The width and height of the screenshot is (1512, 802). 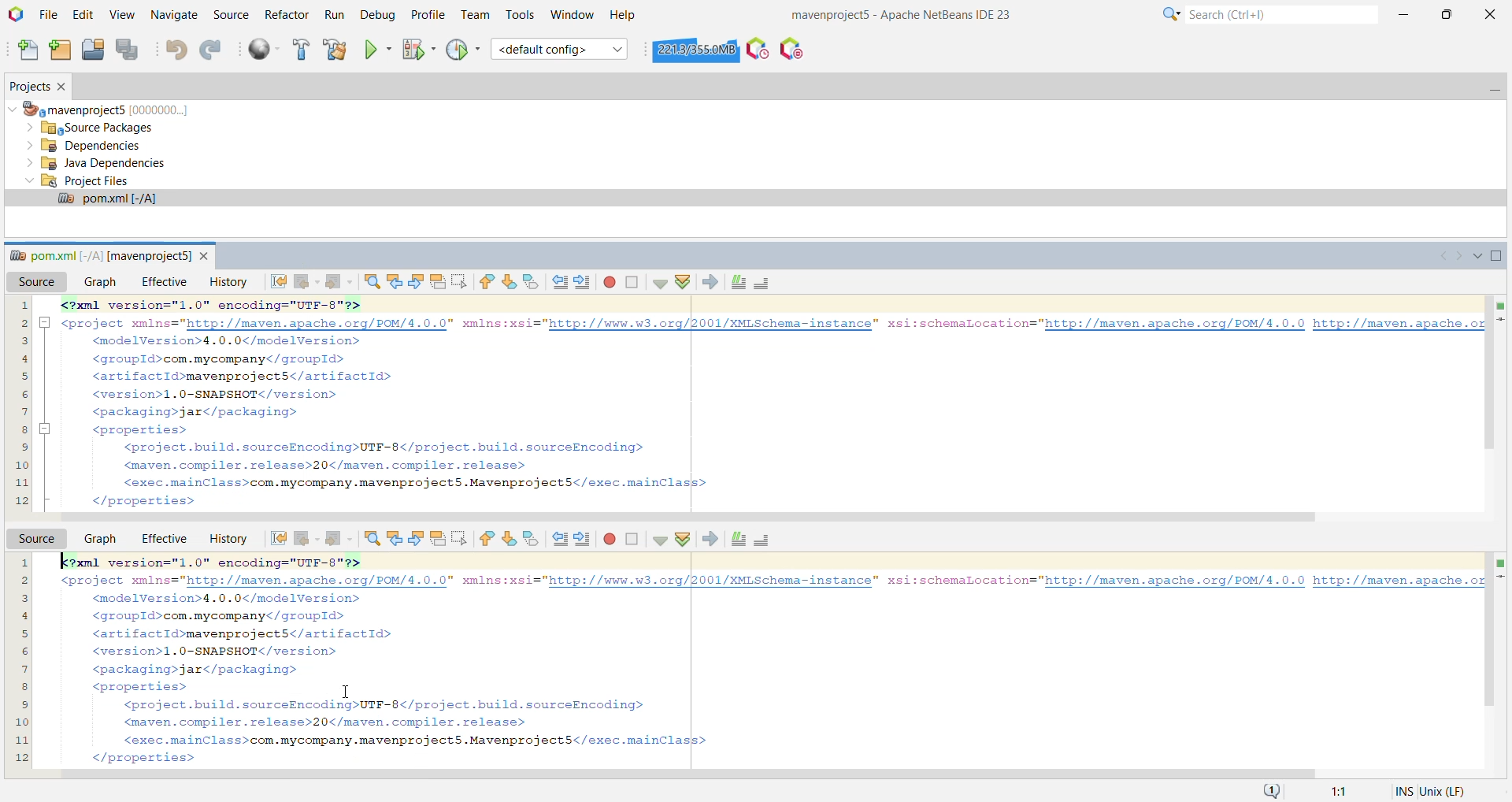 I want to click on pom.xml file window, so click(x=99, y=254).